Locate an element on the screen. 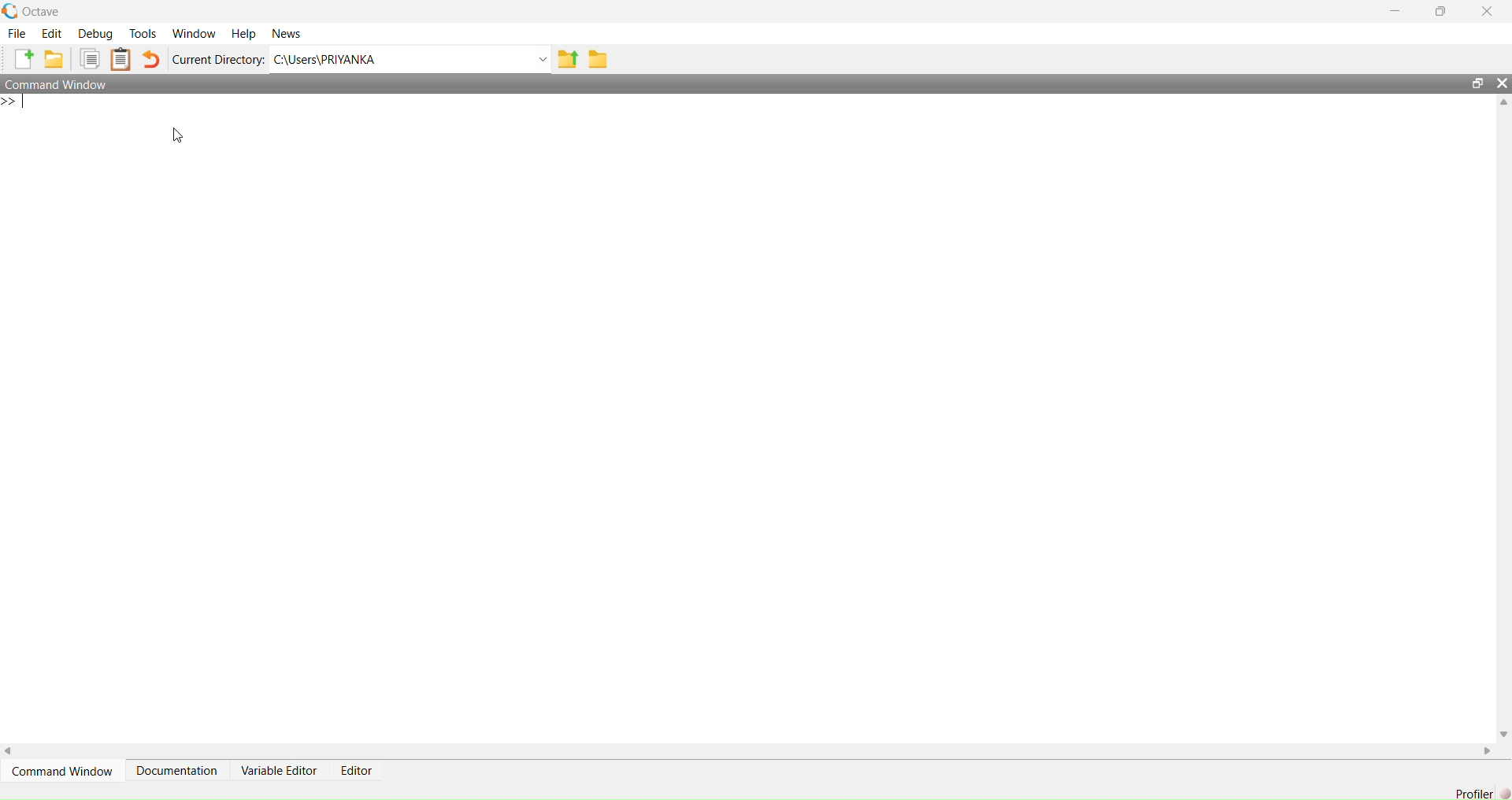 The height and width of the screenshot is (800, 1512). Debug is located at coordinates (98, 34).